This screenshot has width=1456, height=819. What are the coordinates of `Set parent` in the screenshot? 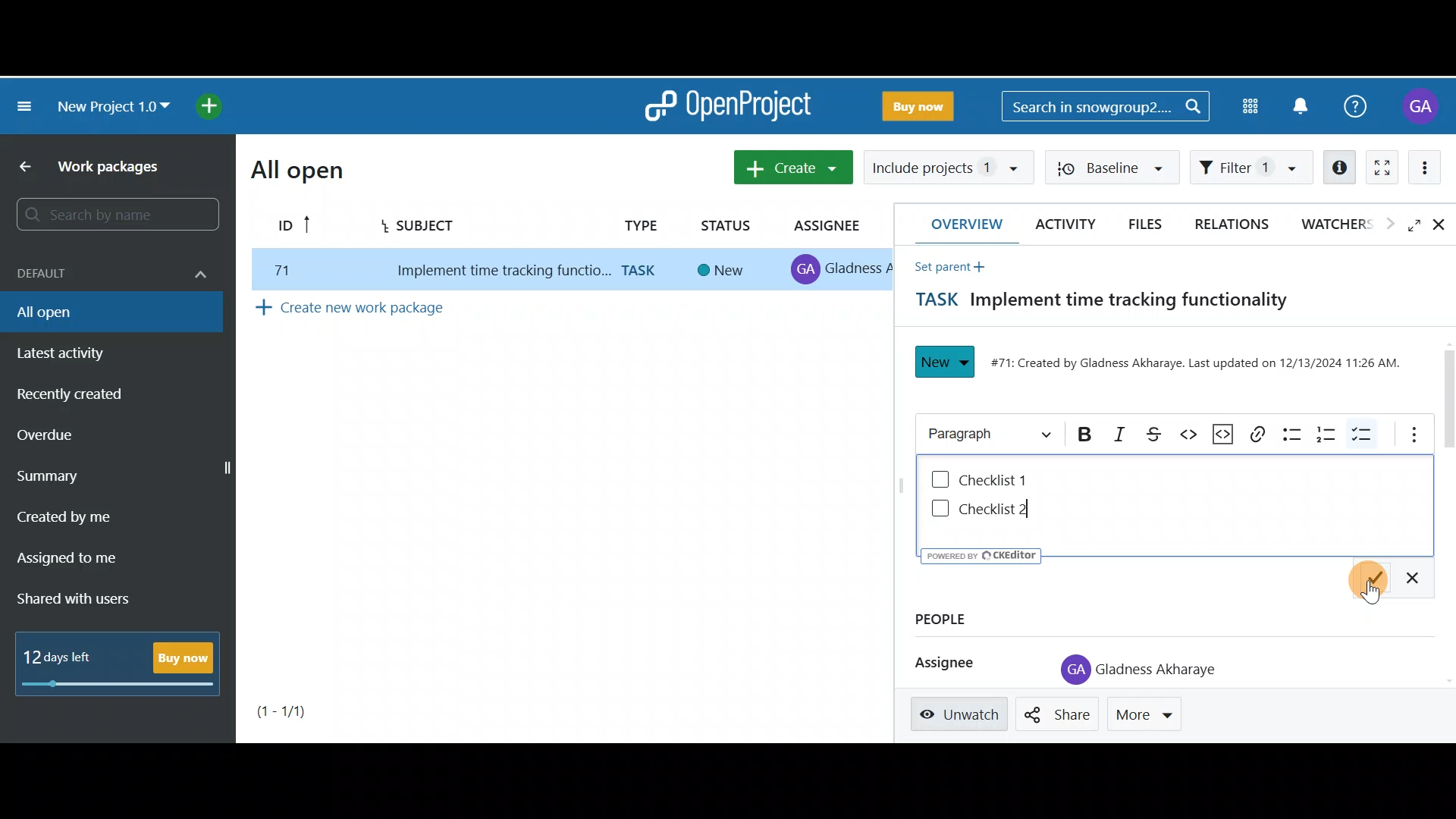 It's located at (945, 266).